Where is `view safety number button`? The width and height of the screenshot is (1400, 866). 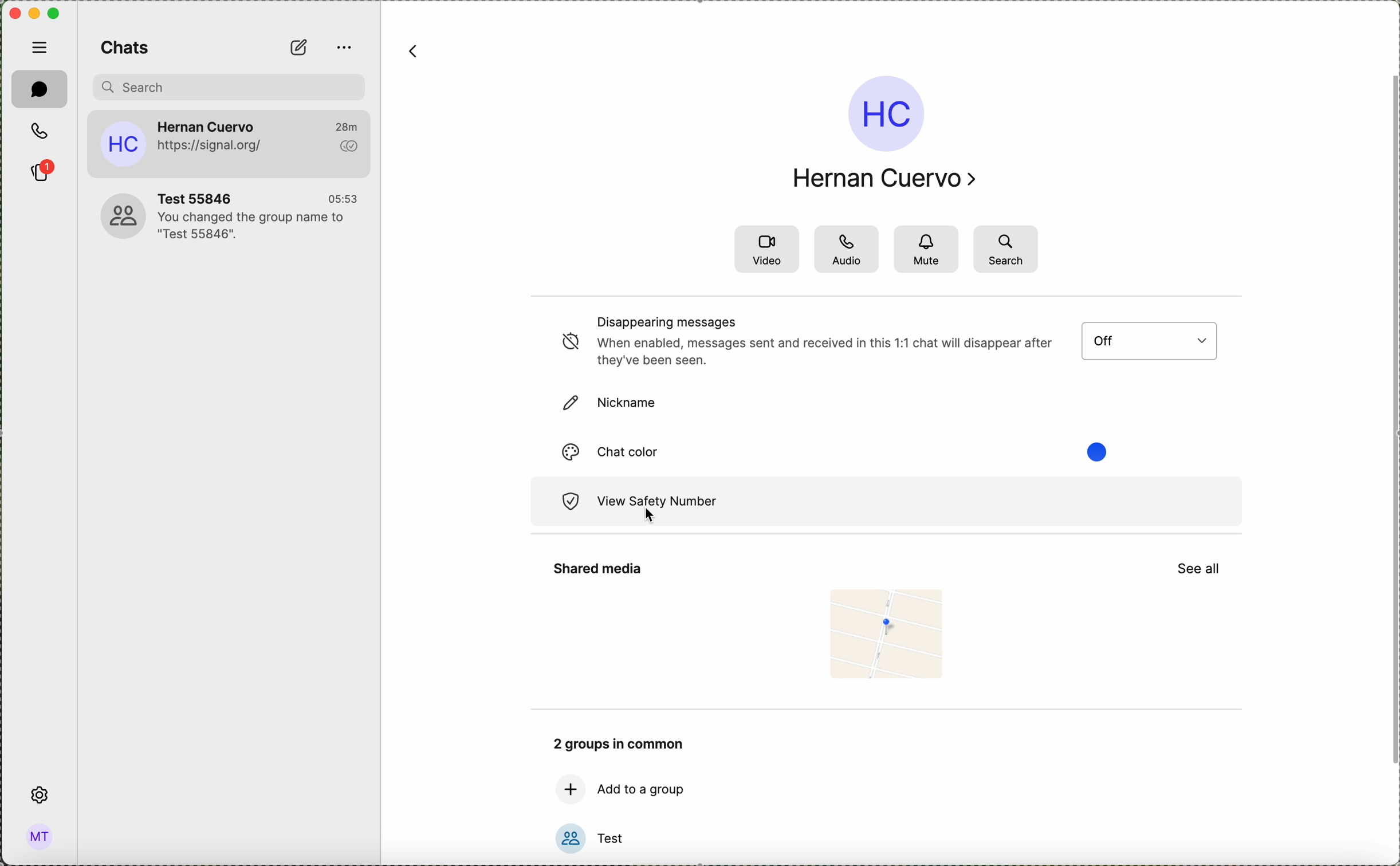 view safety number button is located at coordinates (917, 503).